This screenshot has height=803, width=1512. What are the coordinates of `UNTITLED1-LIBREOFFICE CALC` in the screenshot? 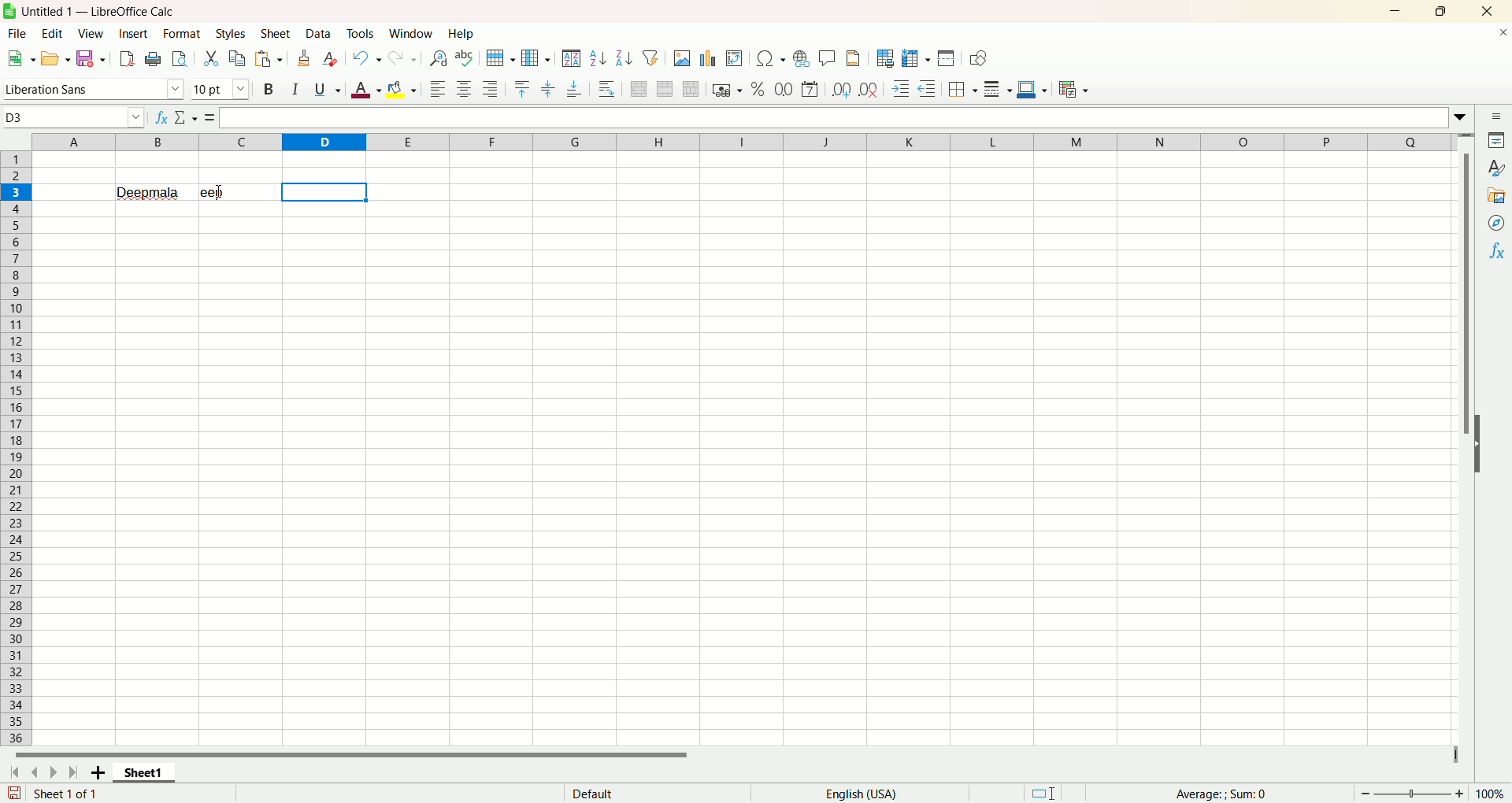 It's located at (102, 9).